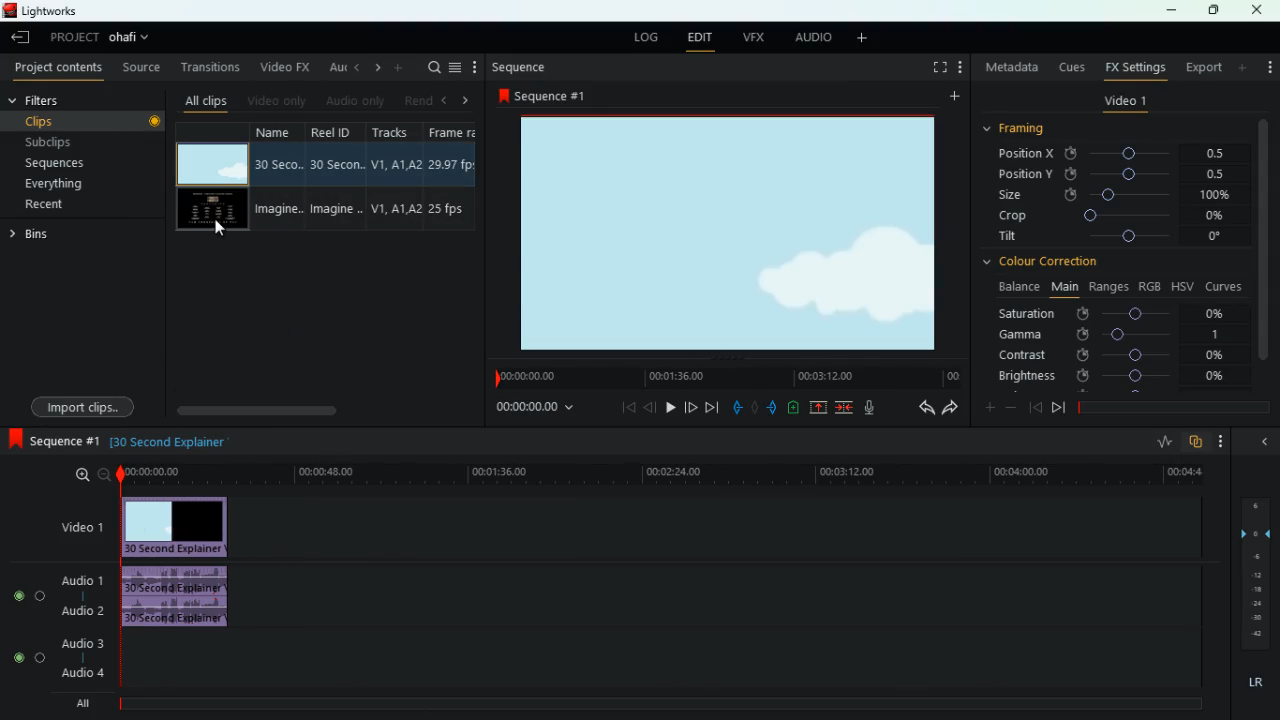 This screenshot has width=1280, height=720. Describe the element at coordinates (940, 69) in the screenshot. I see `full screen` at that location.